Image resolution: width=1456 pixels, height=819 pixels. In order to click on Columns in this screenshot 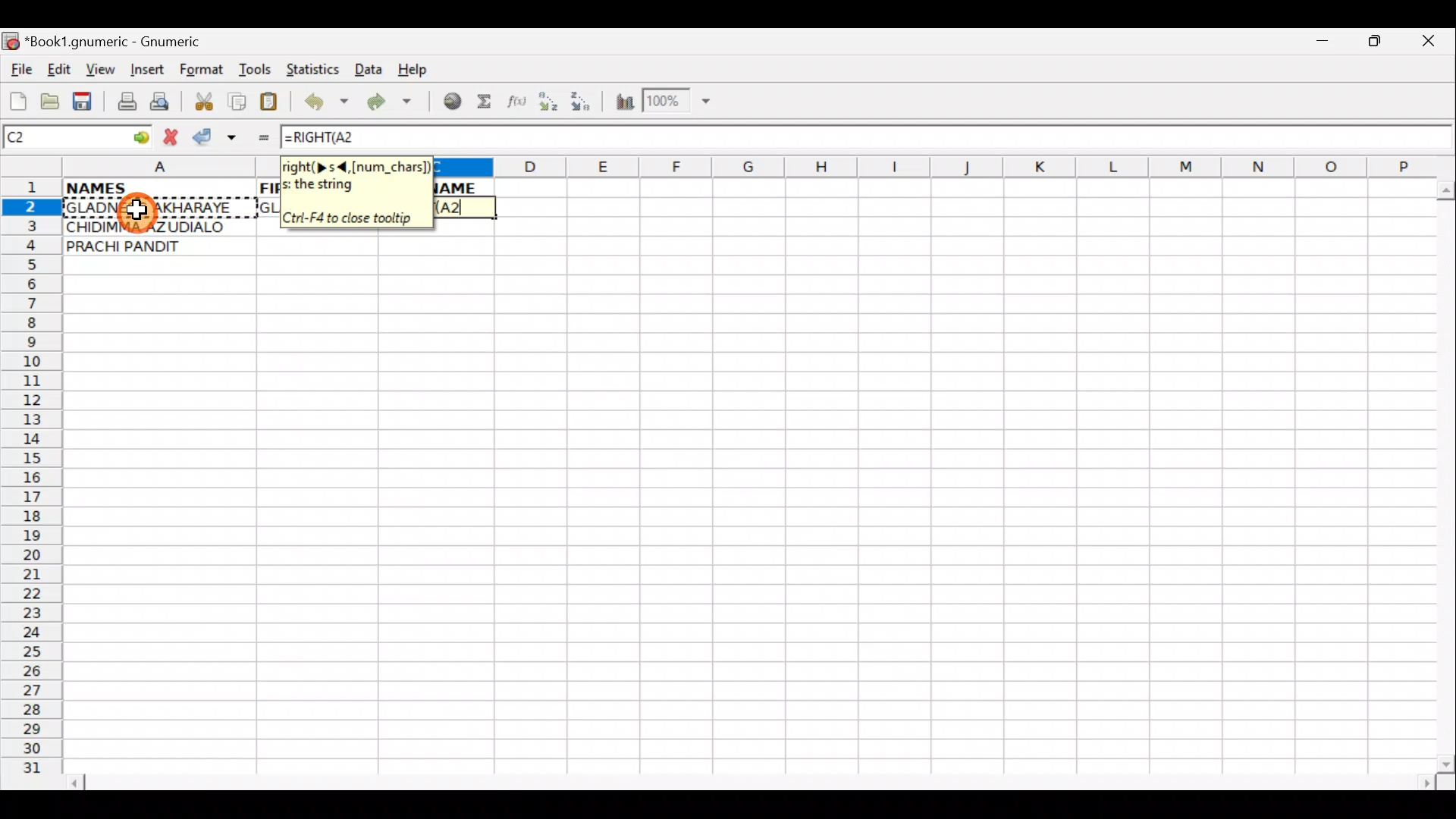, I will do `click(936, 166)`.